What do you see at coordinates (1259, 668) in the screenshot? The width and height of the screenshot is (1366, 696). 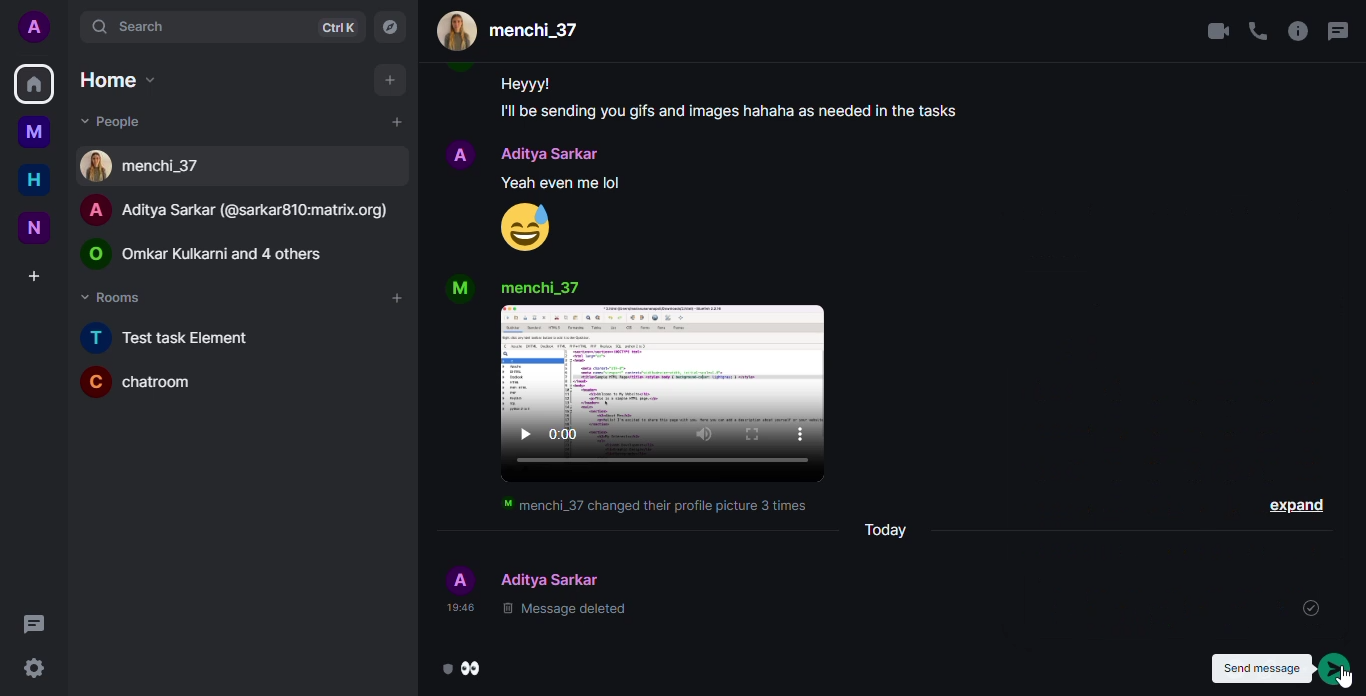 I see `send message popup` at bounding box center [1259, 668].